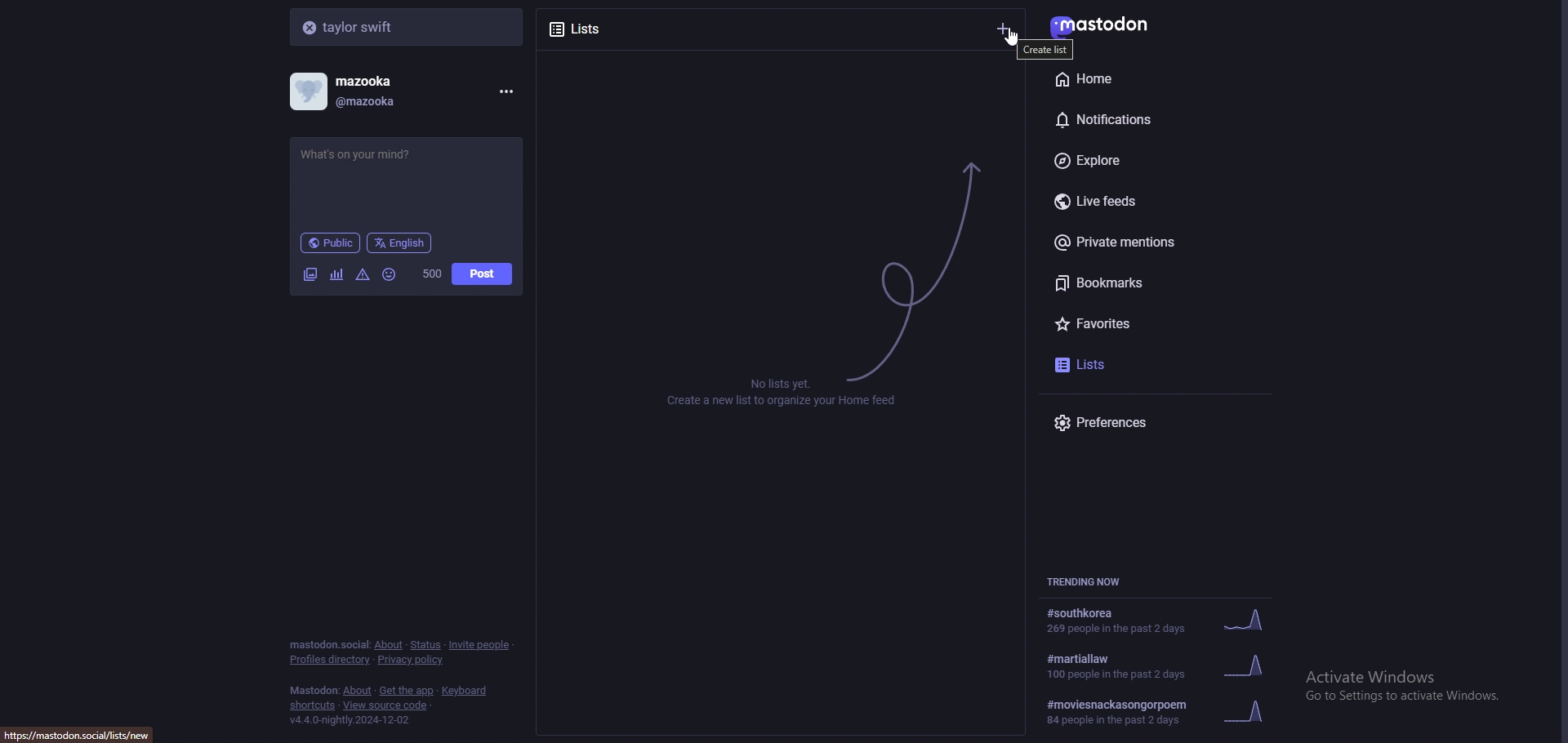  I want to click on get the app, so click(407, 691).